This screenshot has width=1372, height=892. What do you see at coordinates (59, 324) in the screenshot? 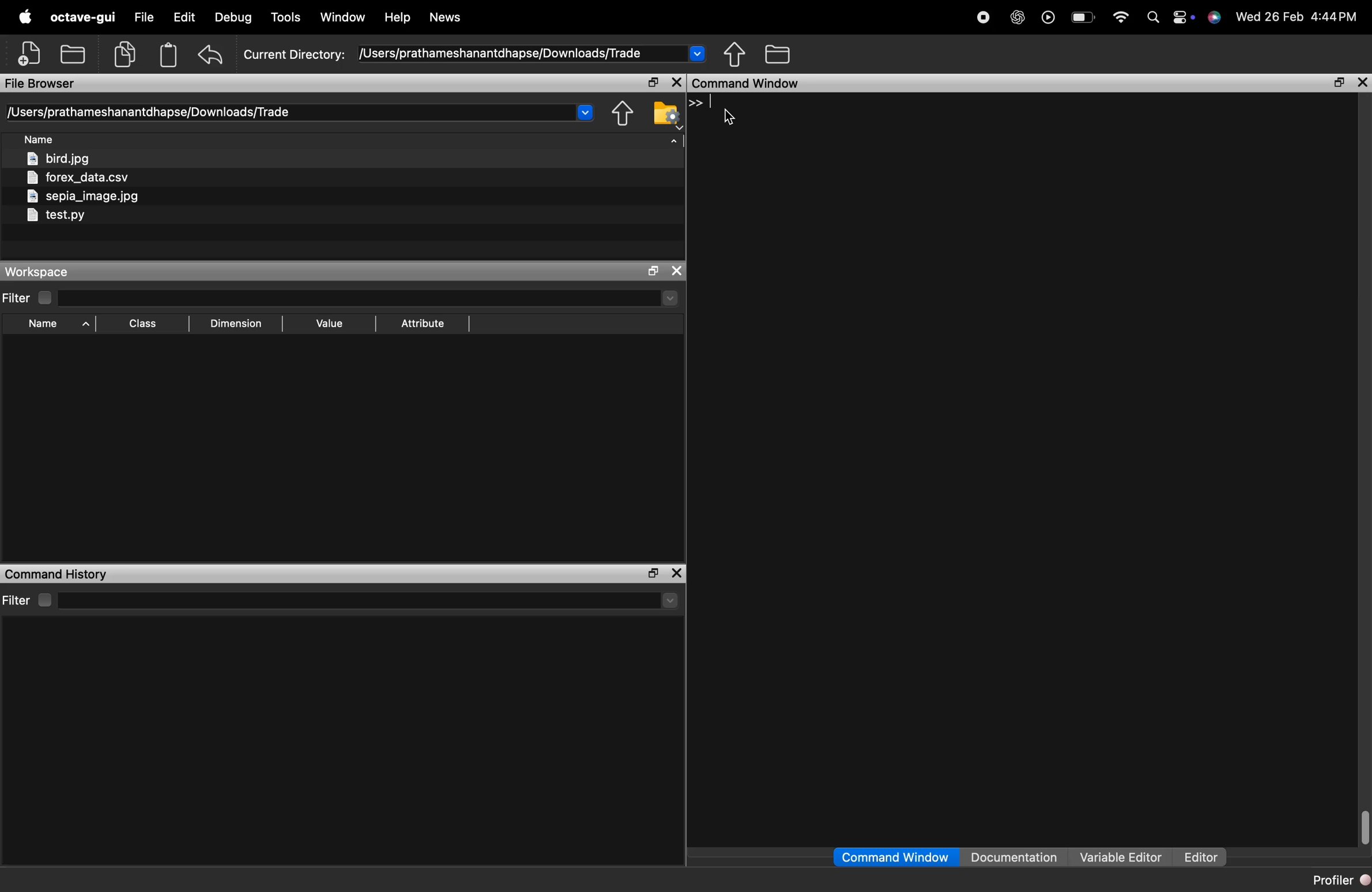
I see `Name ^` at bounding box center [59, 324].